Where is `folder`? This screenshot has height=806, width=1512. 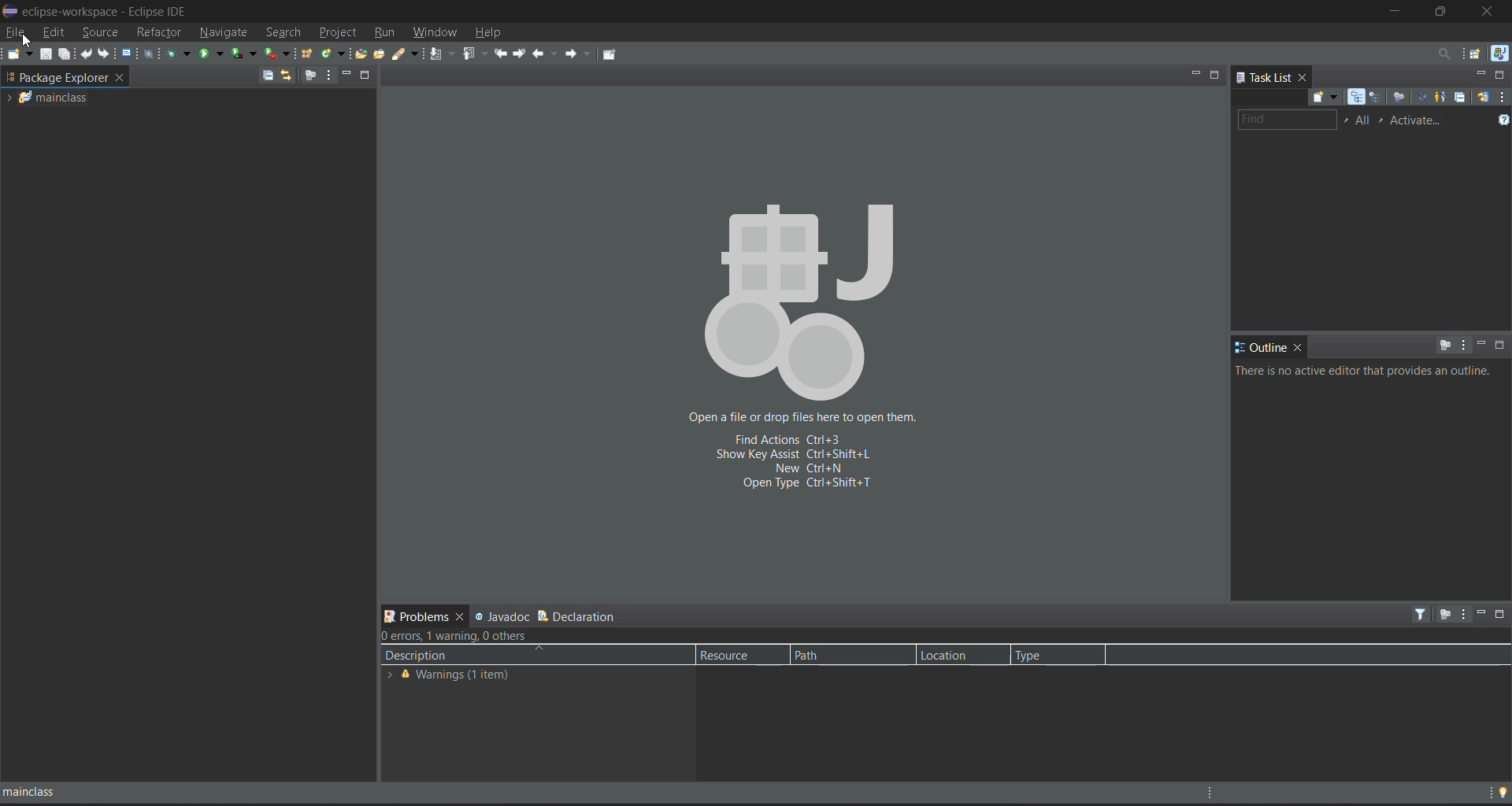
folder is located at coordinates (49, 98).